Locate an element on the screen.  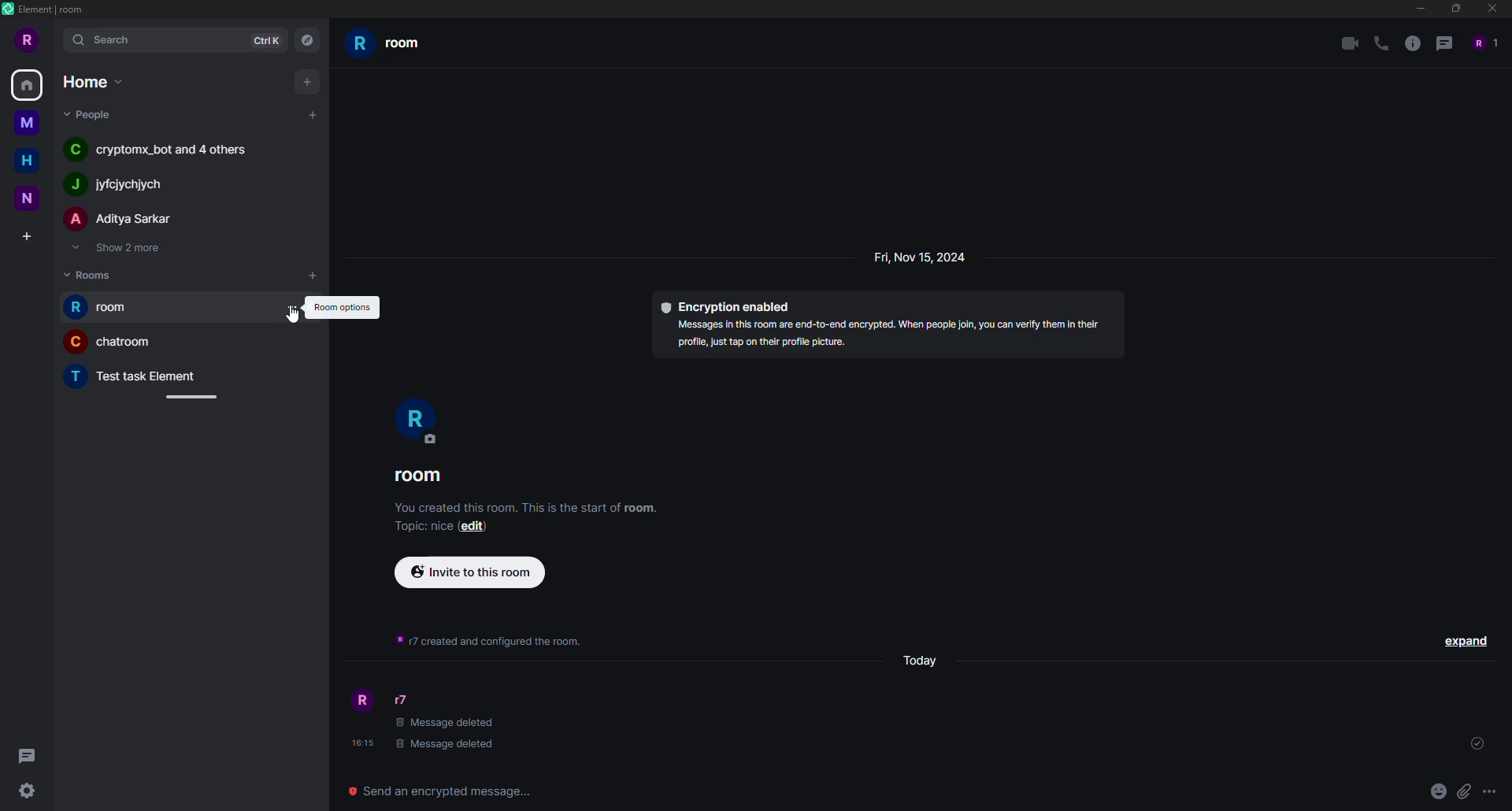
time is located at coordinates (360, 743).